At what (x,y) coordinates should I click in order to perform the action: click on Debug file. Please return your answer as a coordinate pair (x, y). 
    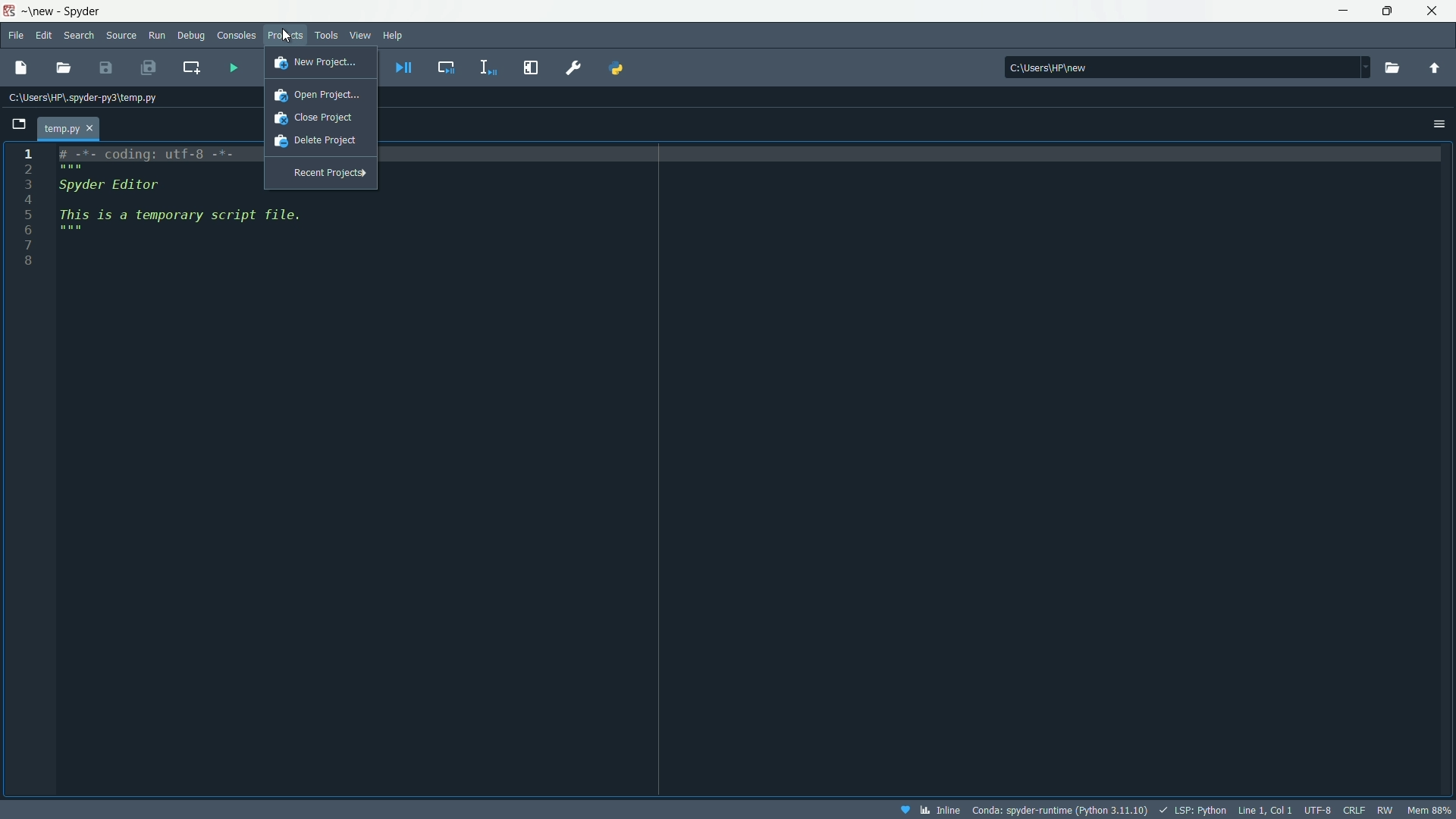
    Looking at the image, I should click on (404, 67).